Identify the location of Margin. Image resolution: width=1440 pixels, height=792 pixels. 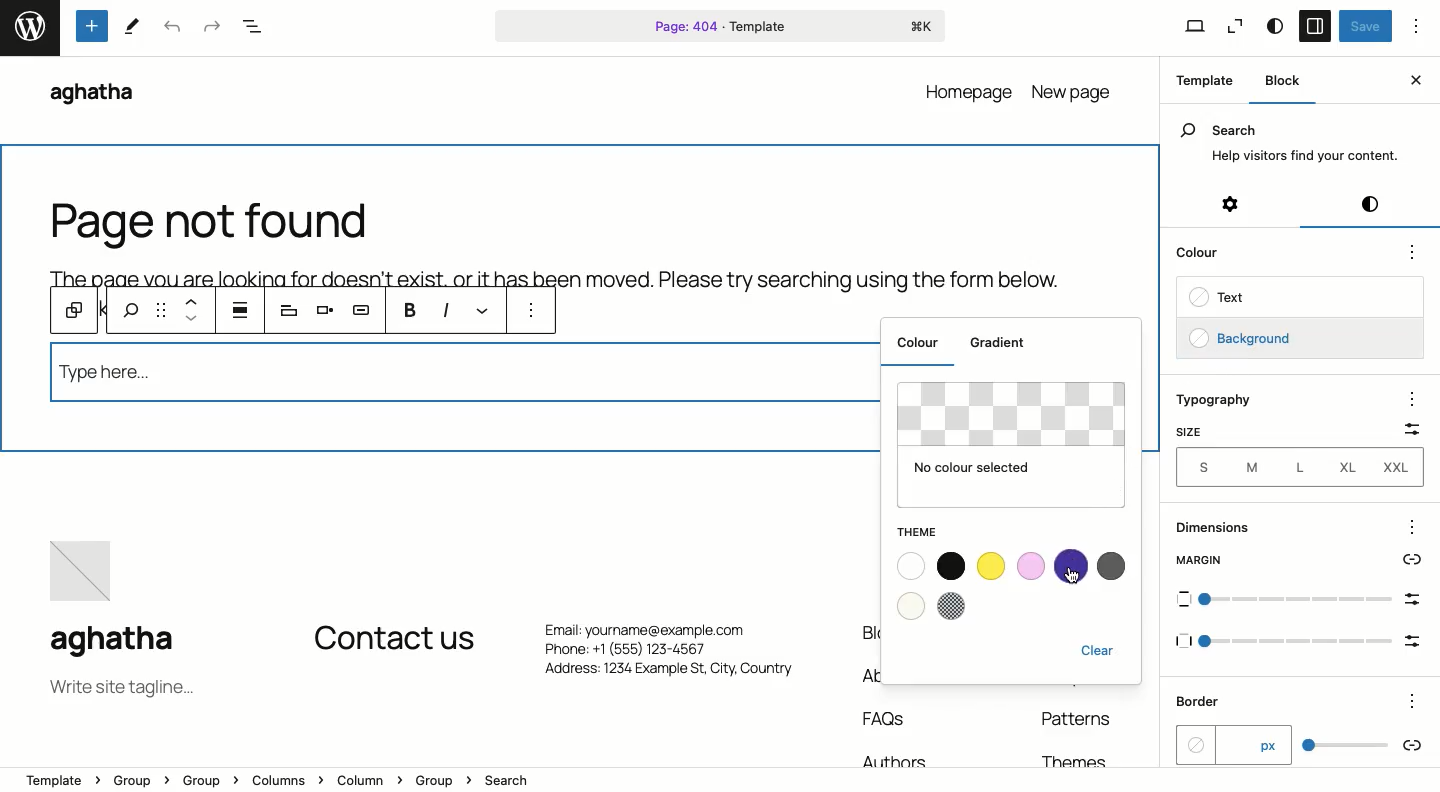
(1302, 561).